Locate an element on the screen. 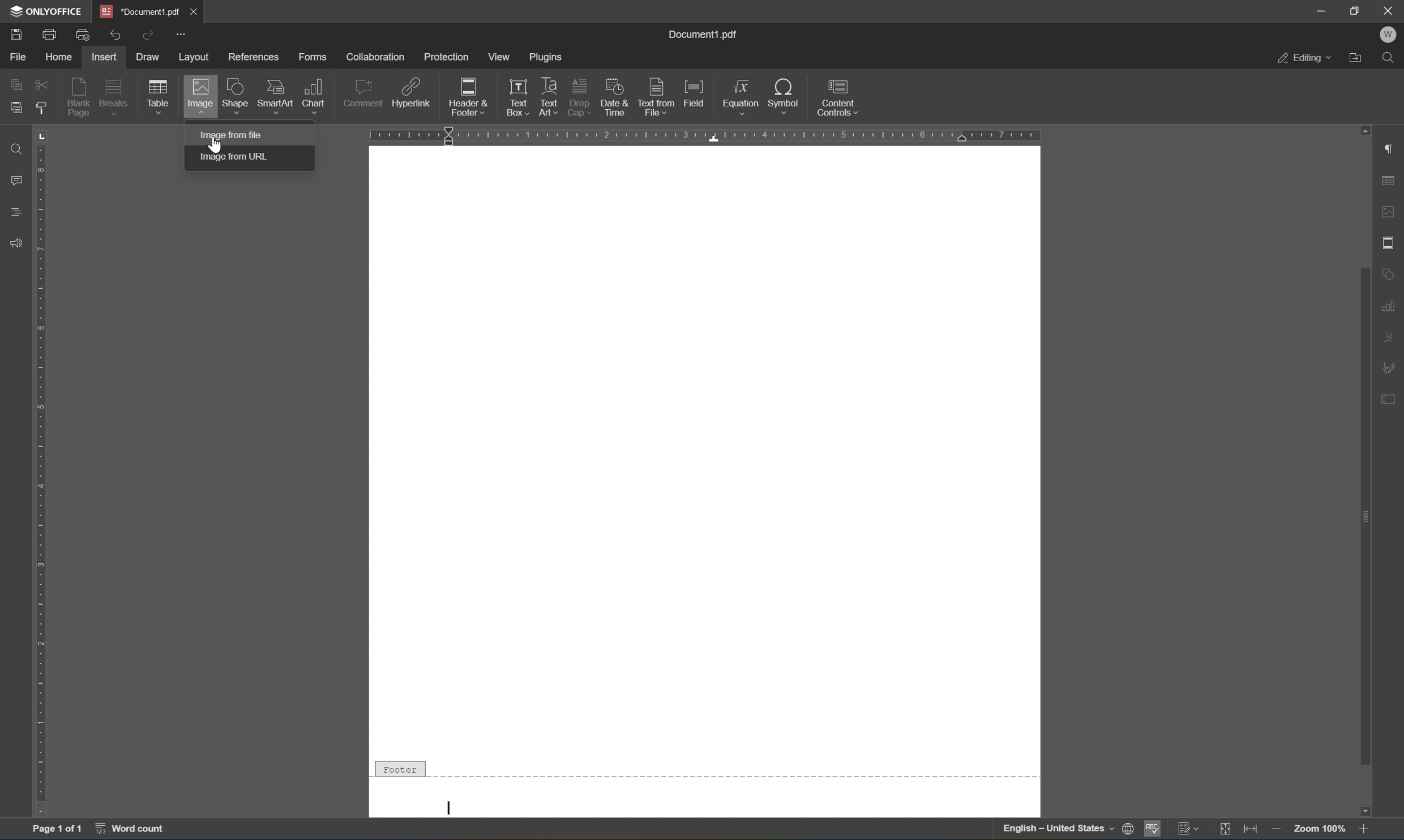  shape is located at coordinates (236, 96).